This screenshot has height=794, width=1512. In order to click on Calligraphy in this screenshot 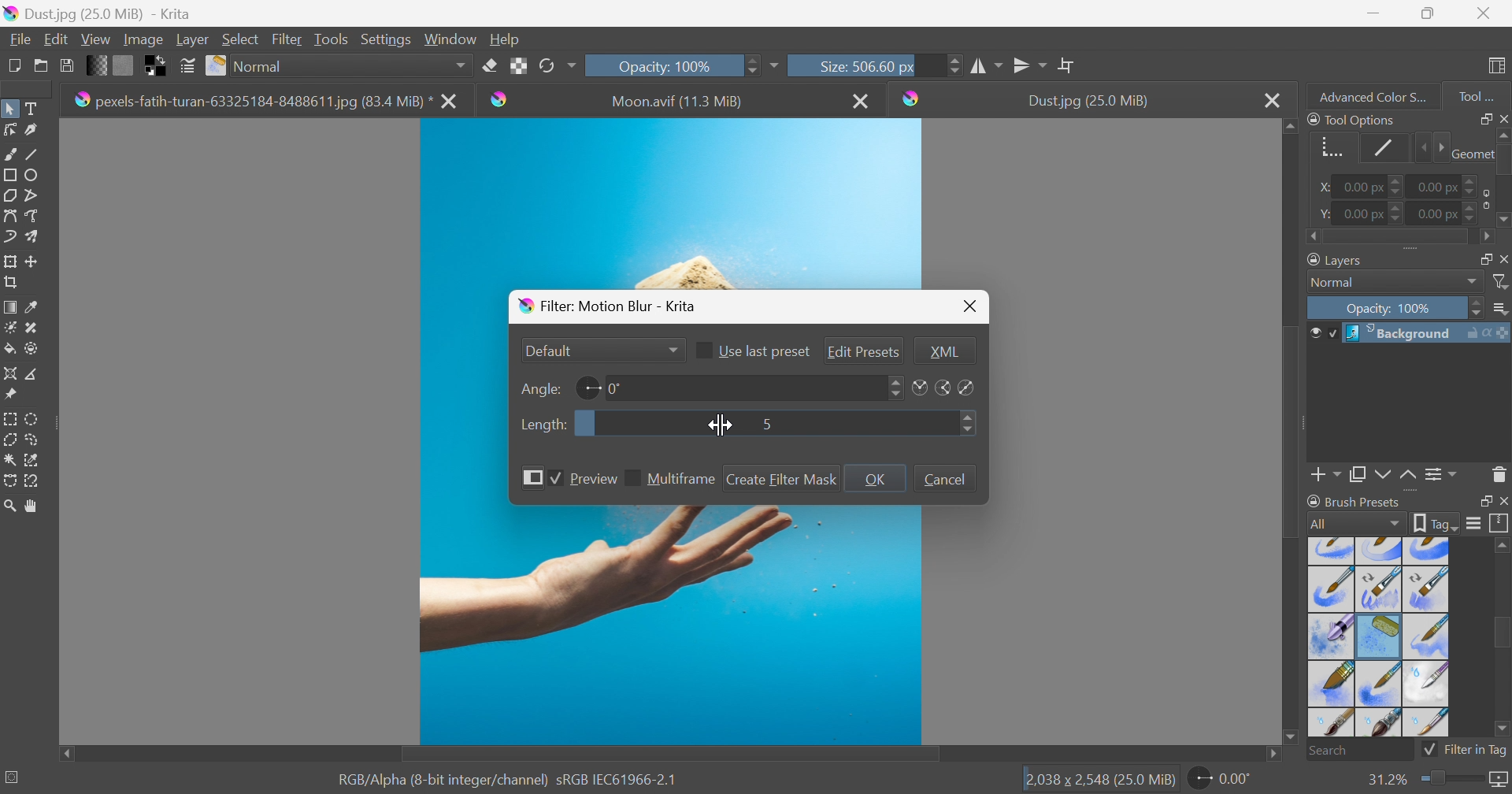, I will do `click(36, 131)`.